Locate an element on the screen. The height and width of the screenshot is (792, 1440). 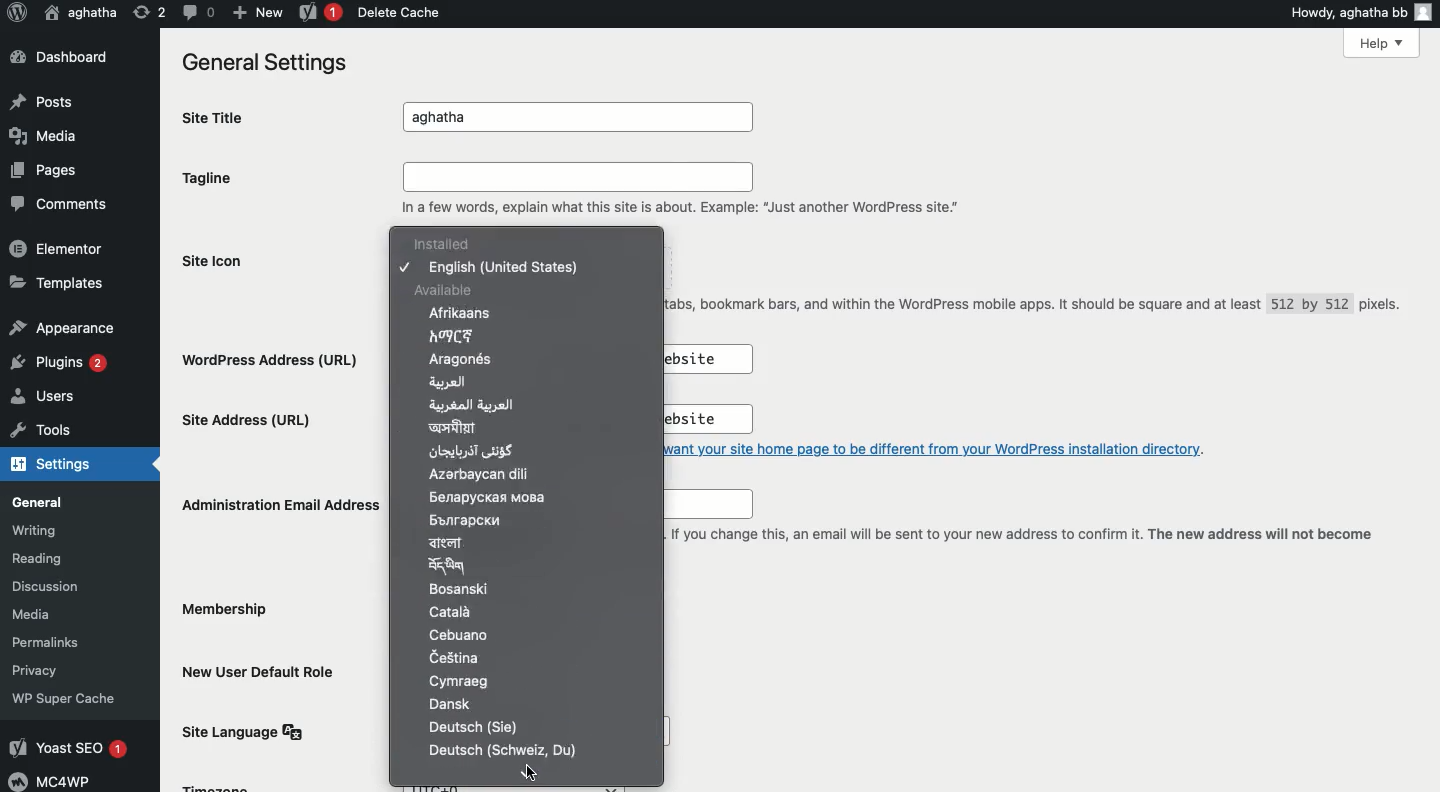
Site title is located at coordinates (220, 117).